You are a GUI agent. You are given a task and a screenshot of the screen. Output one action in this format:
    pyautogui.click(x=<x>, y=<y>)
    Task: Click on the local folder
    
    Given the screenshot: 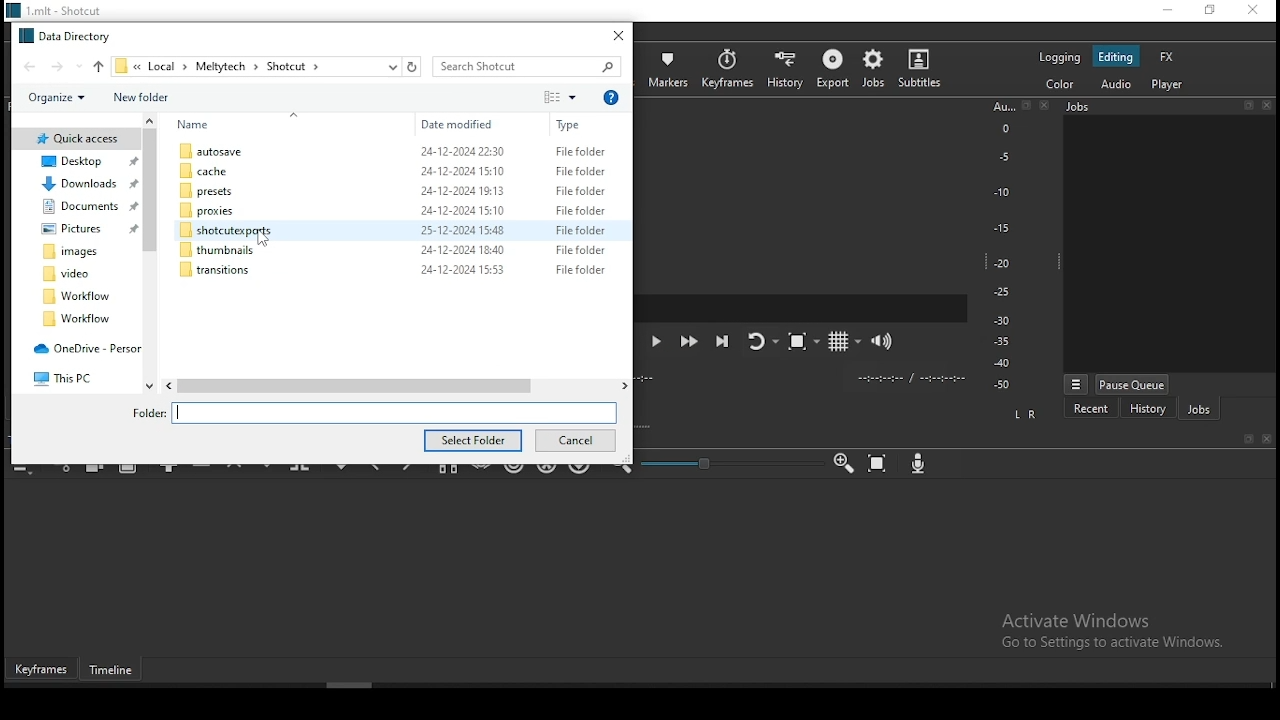 What is the action you would take?
    pyautogui.click(x=78, y=295)
    